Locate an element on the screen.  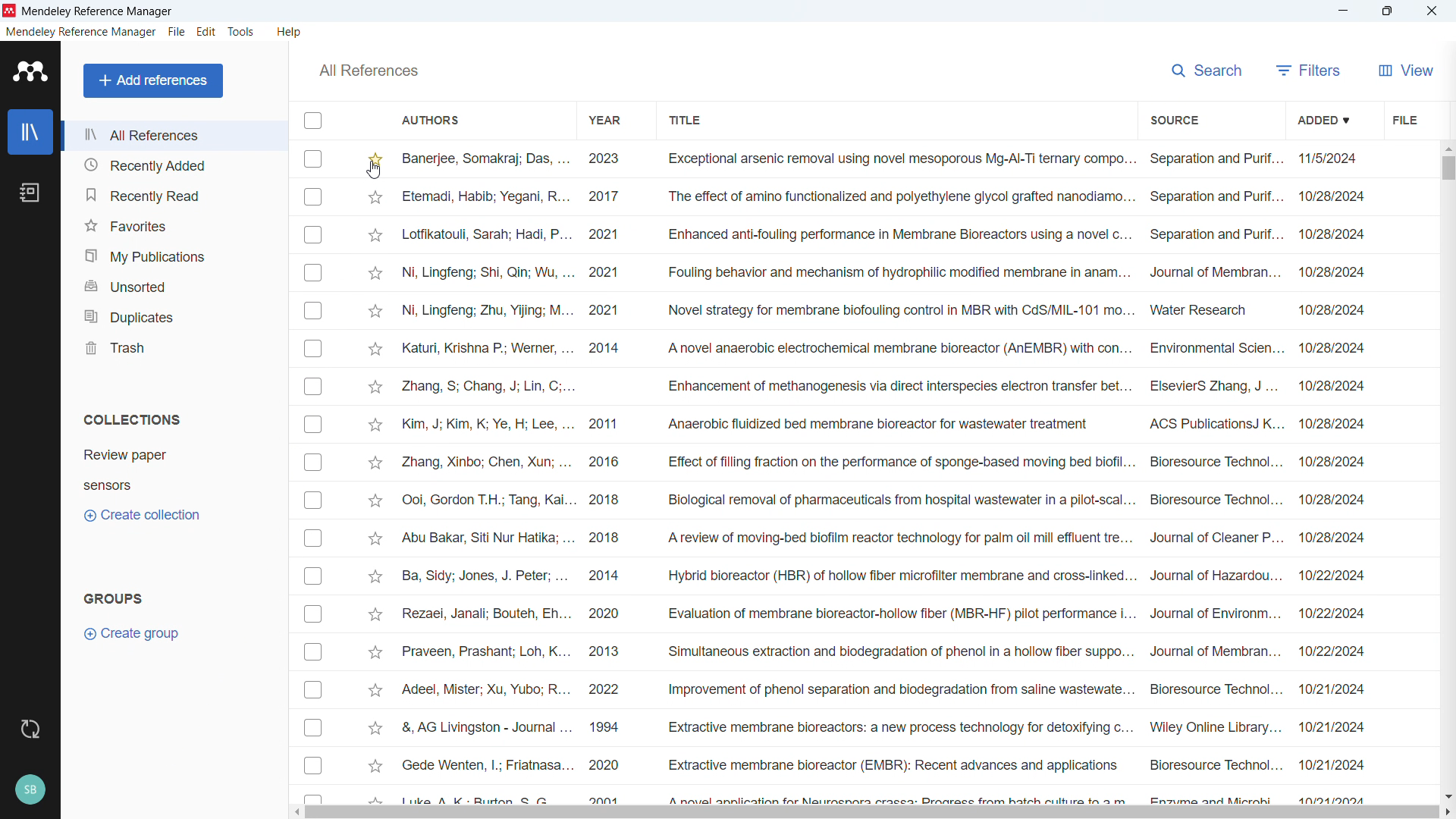
Create group  is located at coordinates (140, 633).